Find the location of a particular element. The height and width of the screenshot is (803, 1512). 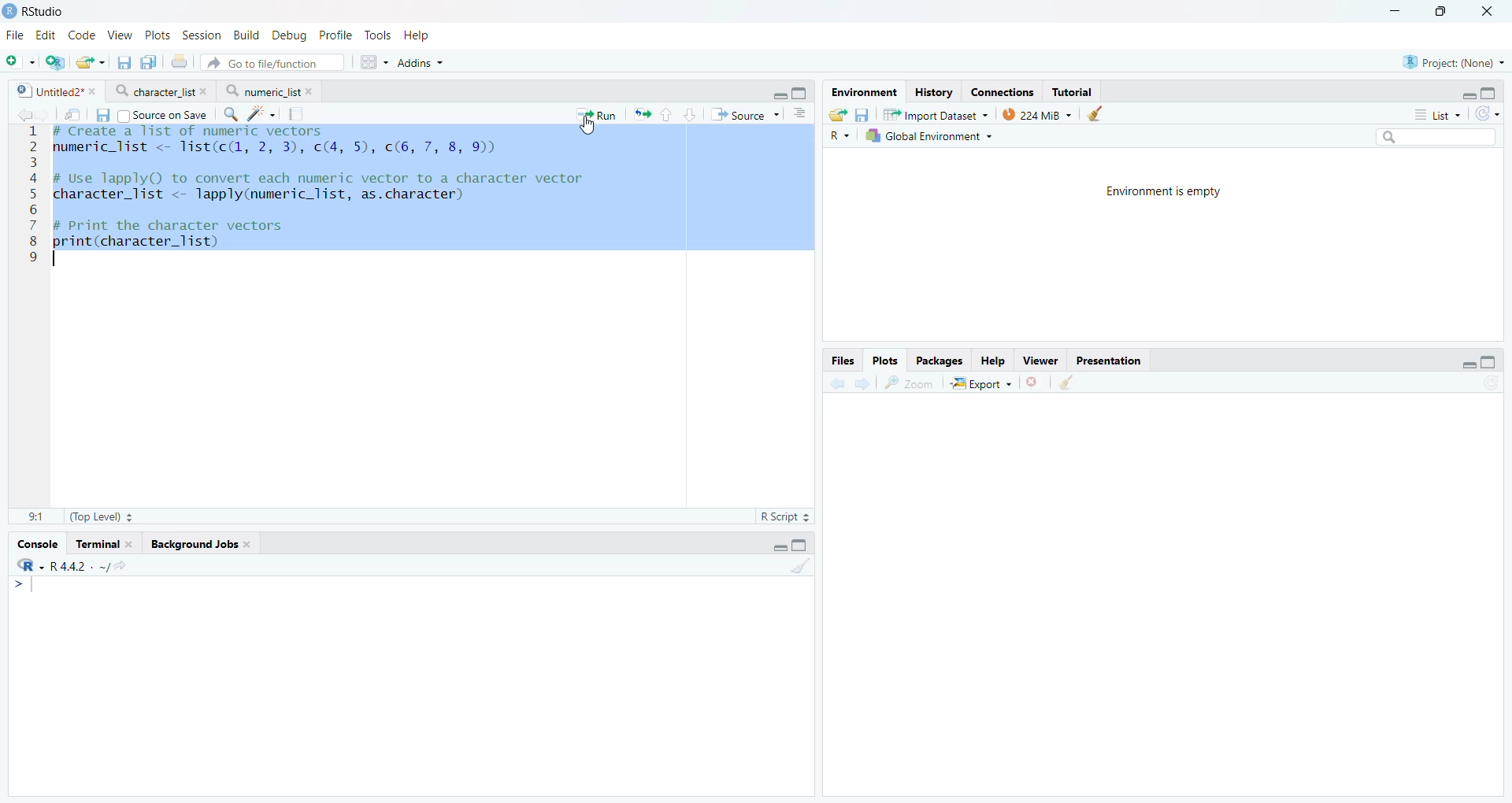

R Script is located at coordinates (786, 516).